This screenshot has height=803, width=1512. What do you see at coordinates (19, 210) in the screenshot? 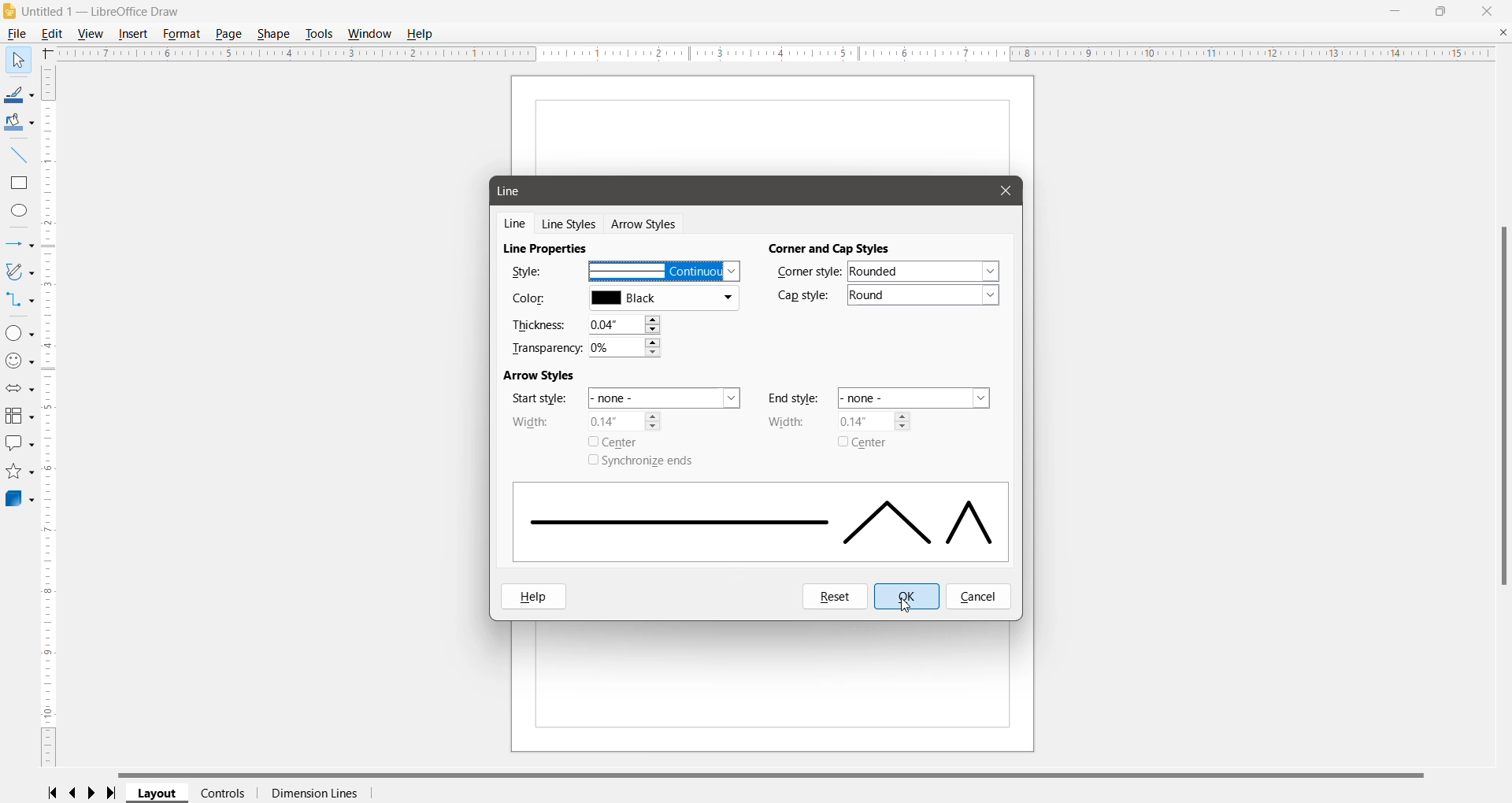
I see `Ellipse` at bounding box center [19, 210].